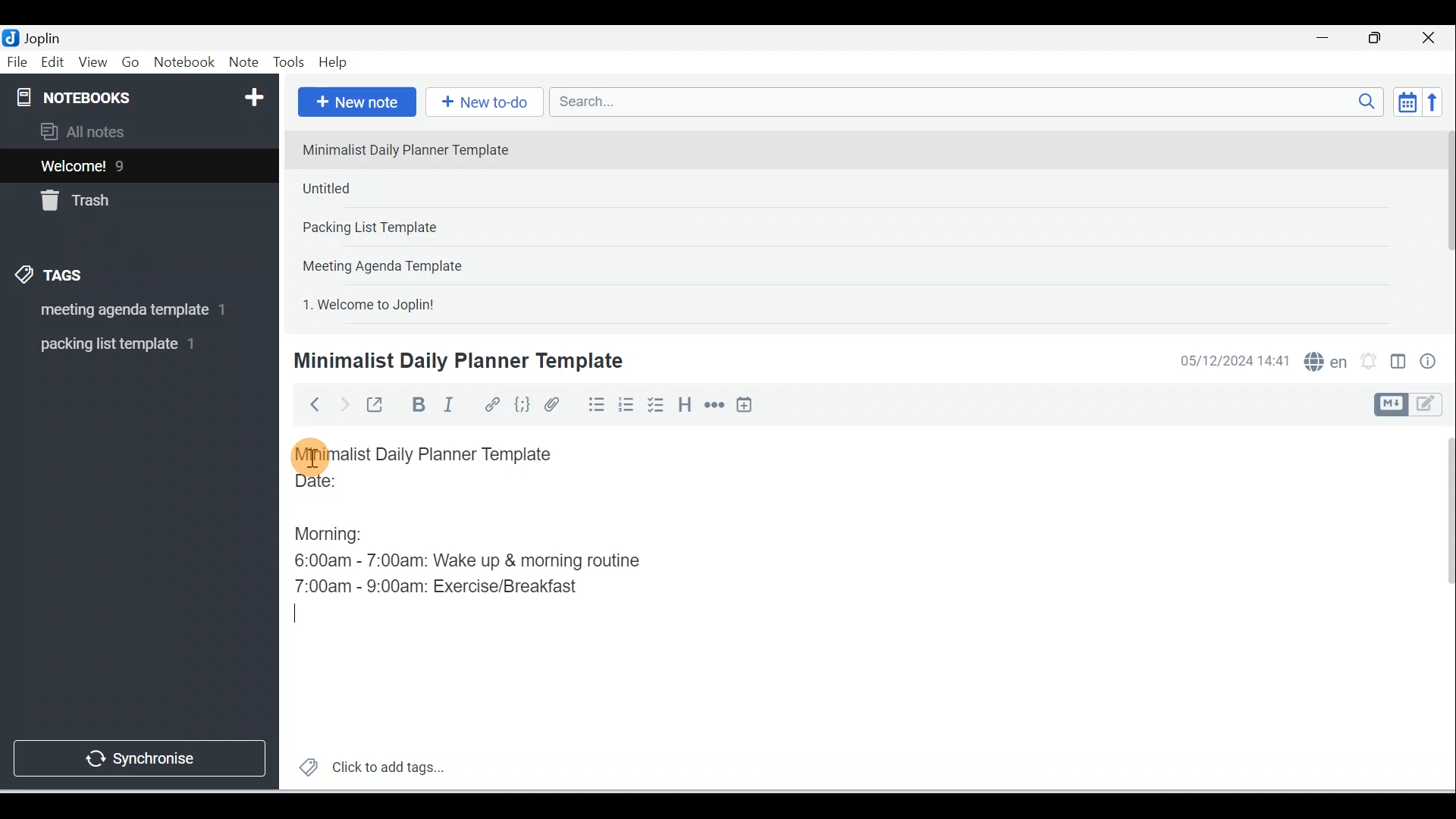  What do you see at coordinates (359, 488) in the screenshot?
I see `Date:` at bounding box center [359, 488].